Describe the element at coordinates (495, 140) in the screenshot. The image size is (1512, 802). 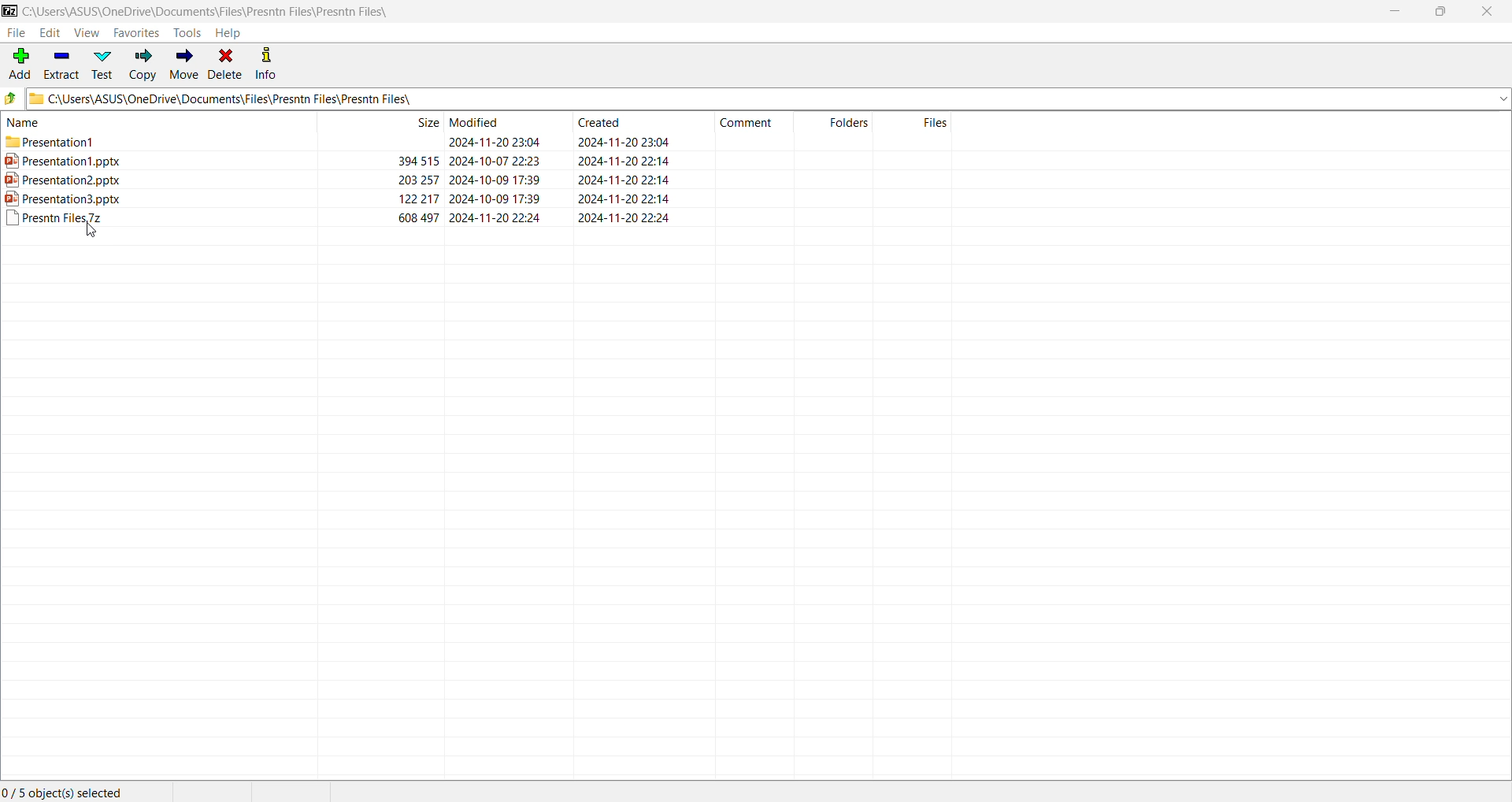
I see `2024-11-20 23:04` at that location.